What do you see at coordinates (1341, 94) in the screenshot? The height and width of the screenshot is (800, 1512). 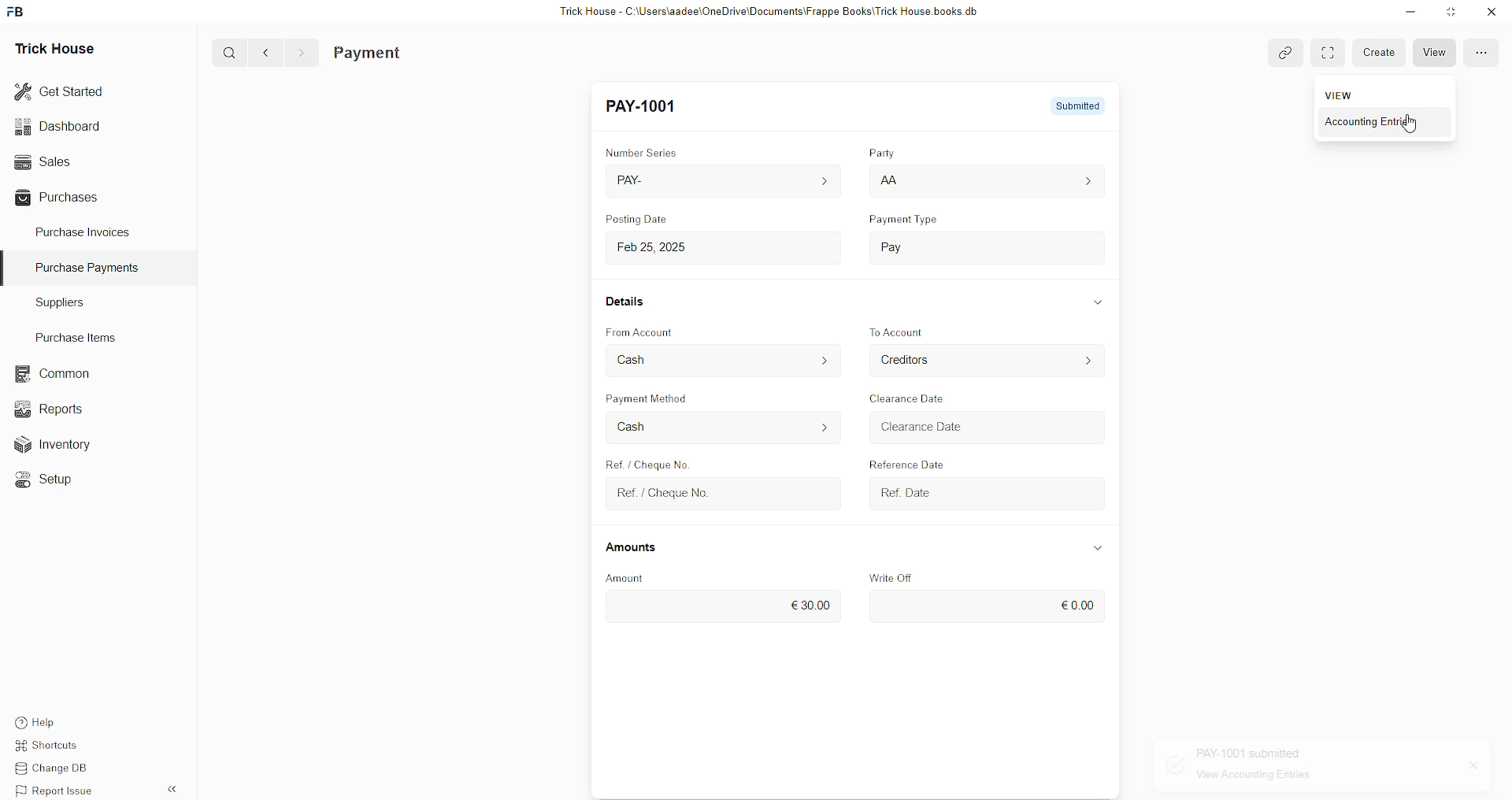 I see `VIEW` at bounding box center [1341, 94].